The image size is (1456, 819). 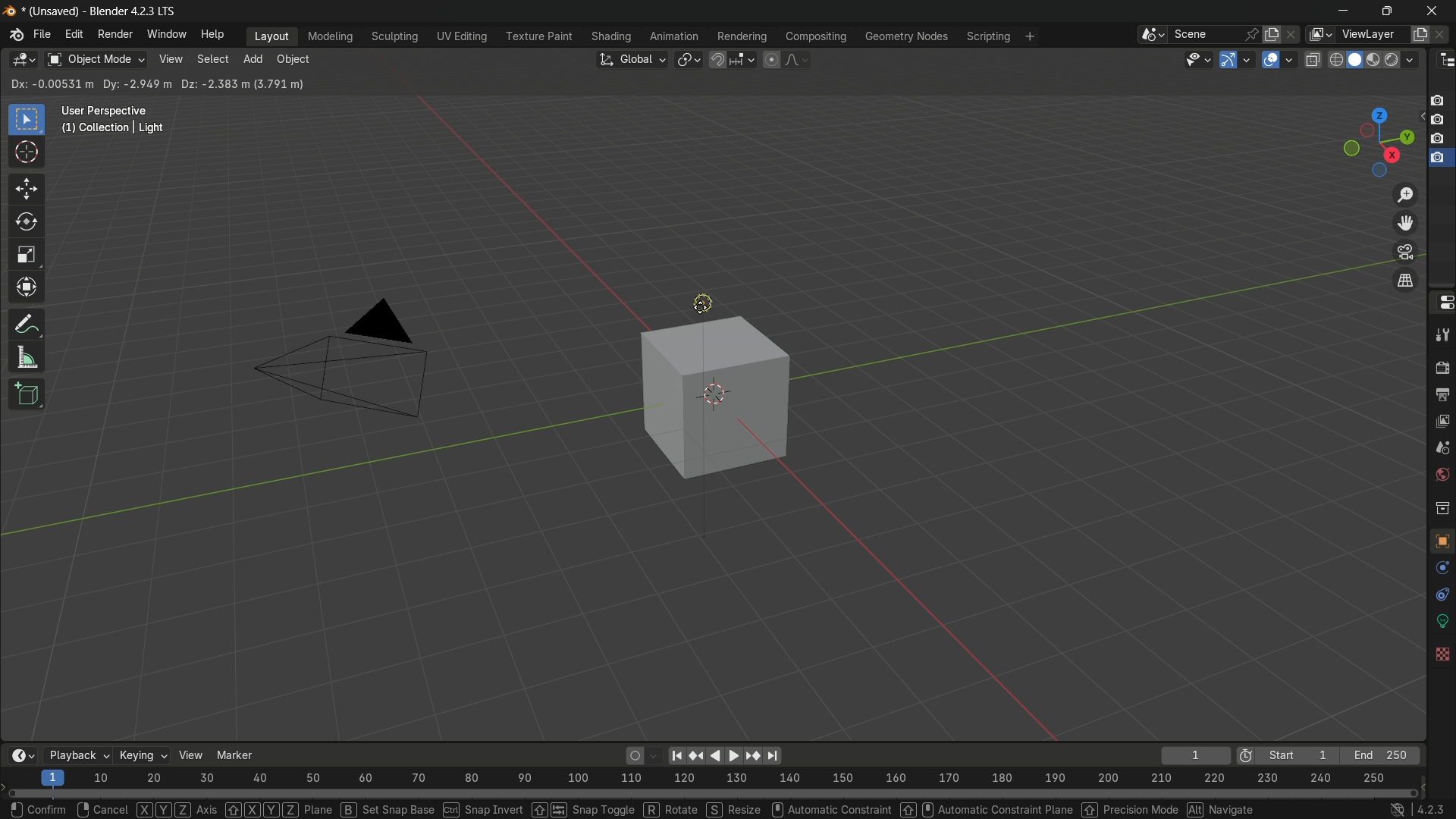 I want to click on output, so click(x=1441, y=393).